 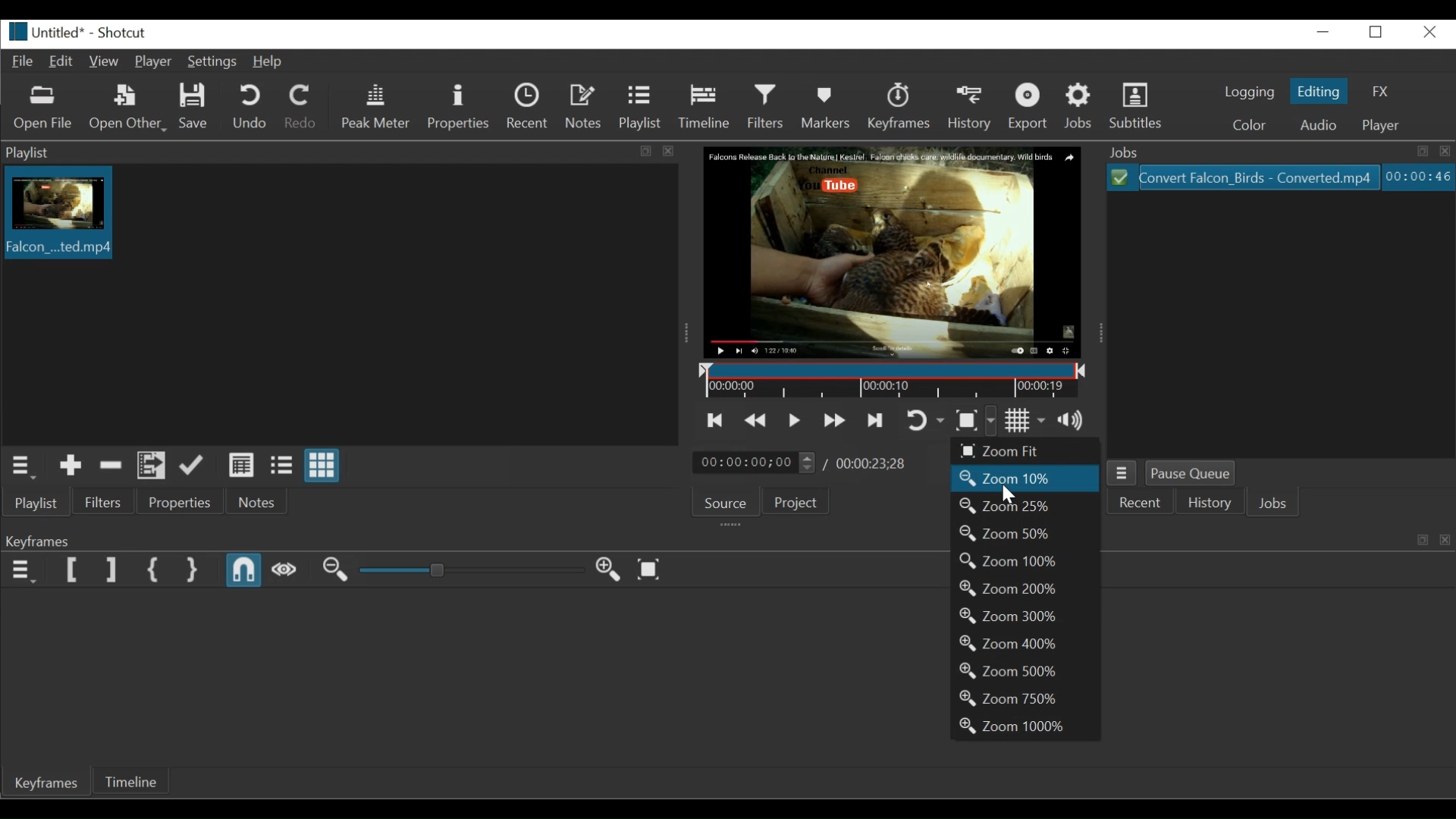 What do you see at coordinates (1025, 589) in the screenshot?
I see `Zoom 200%` at bounding box center [1025, 589].